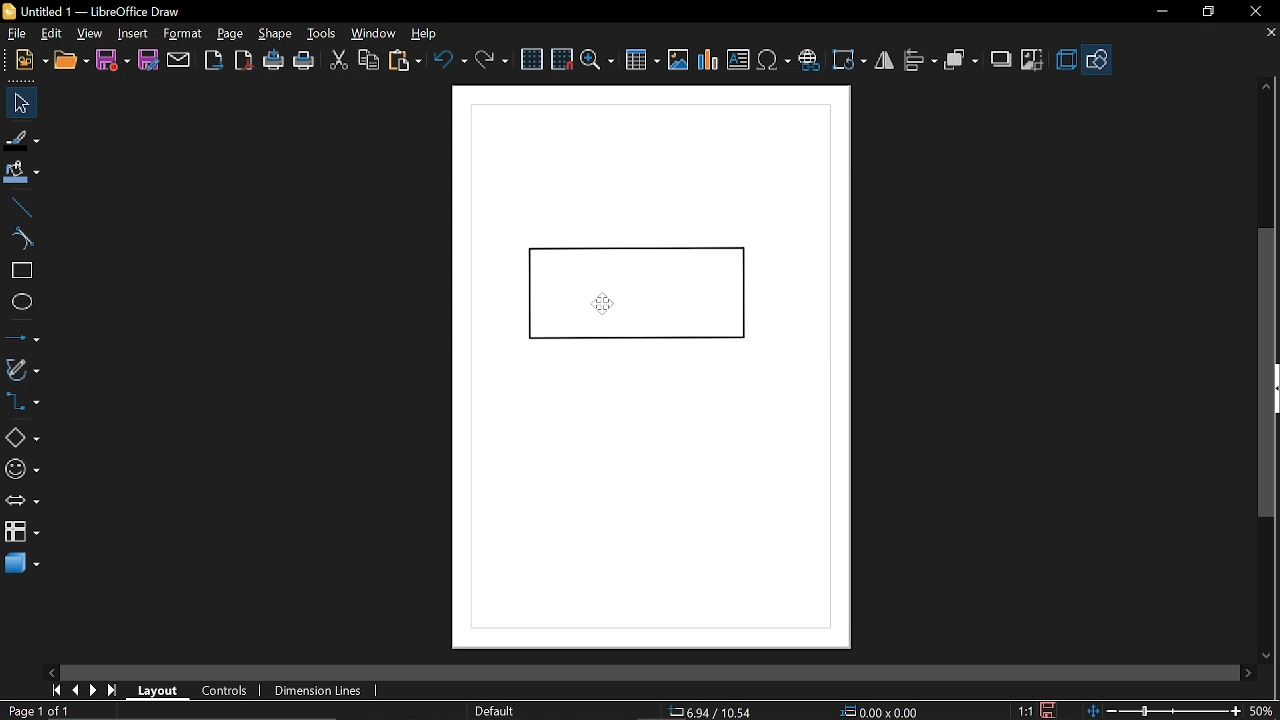  I want to click on Size, so click(878, 710).